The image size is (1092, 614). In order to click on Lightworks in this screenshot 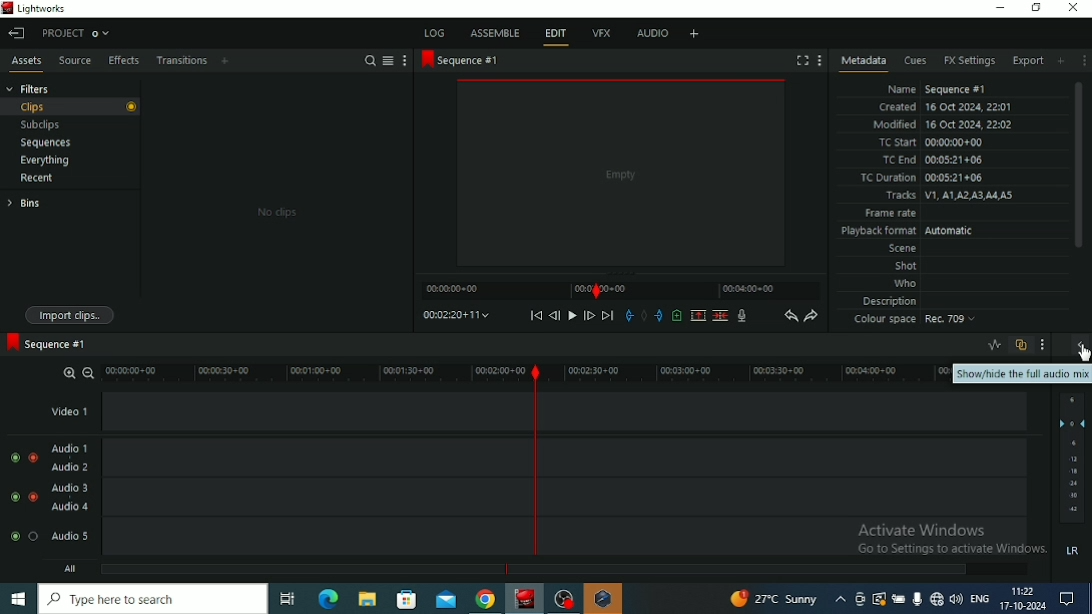, I will do `click(526, 598)`.